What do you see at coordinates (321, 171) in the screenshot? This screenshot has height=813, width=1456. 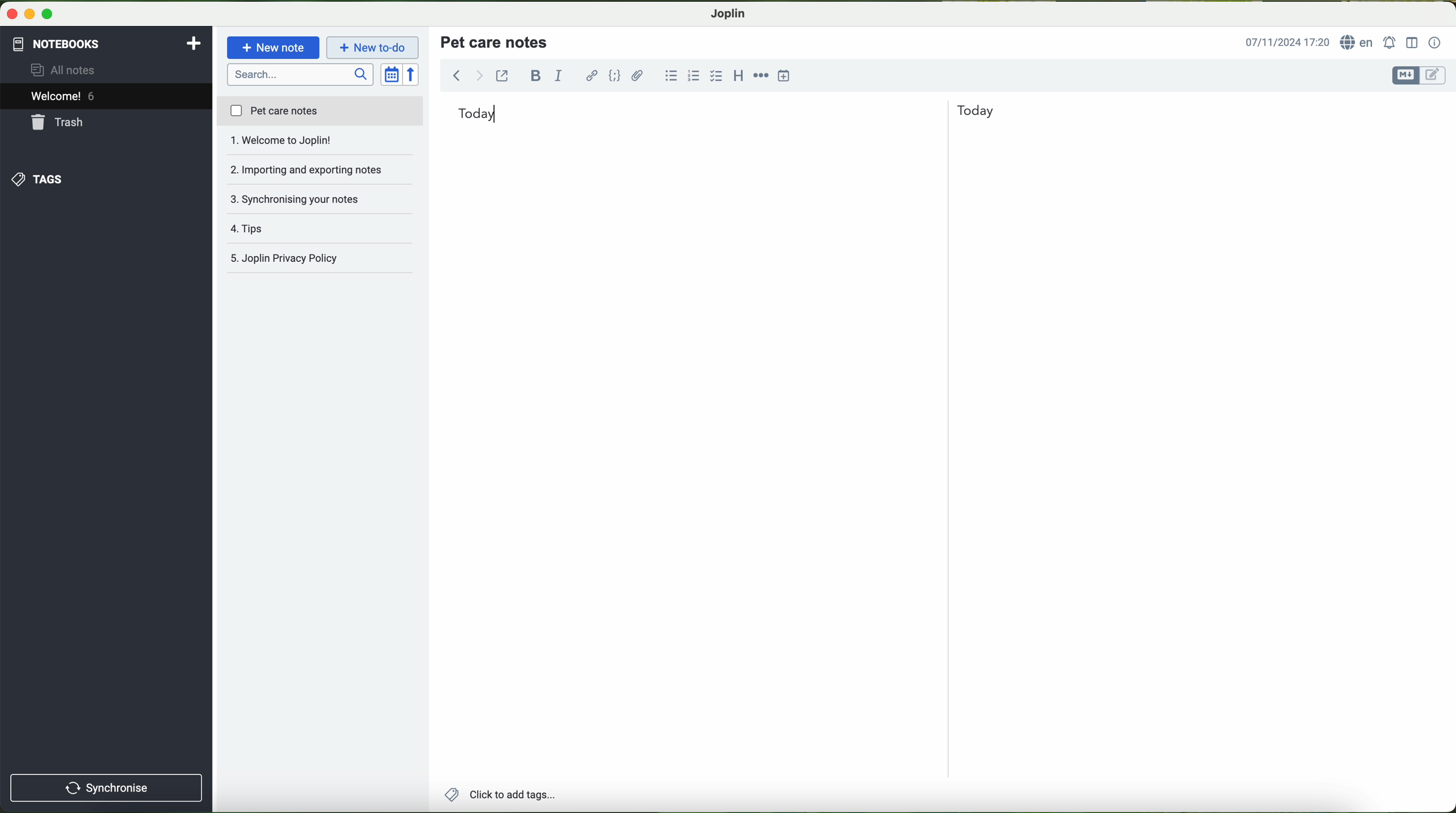 I see `synchronising your notes` at bounding box center [321, 171].